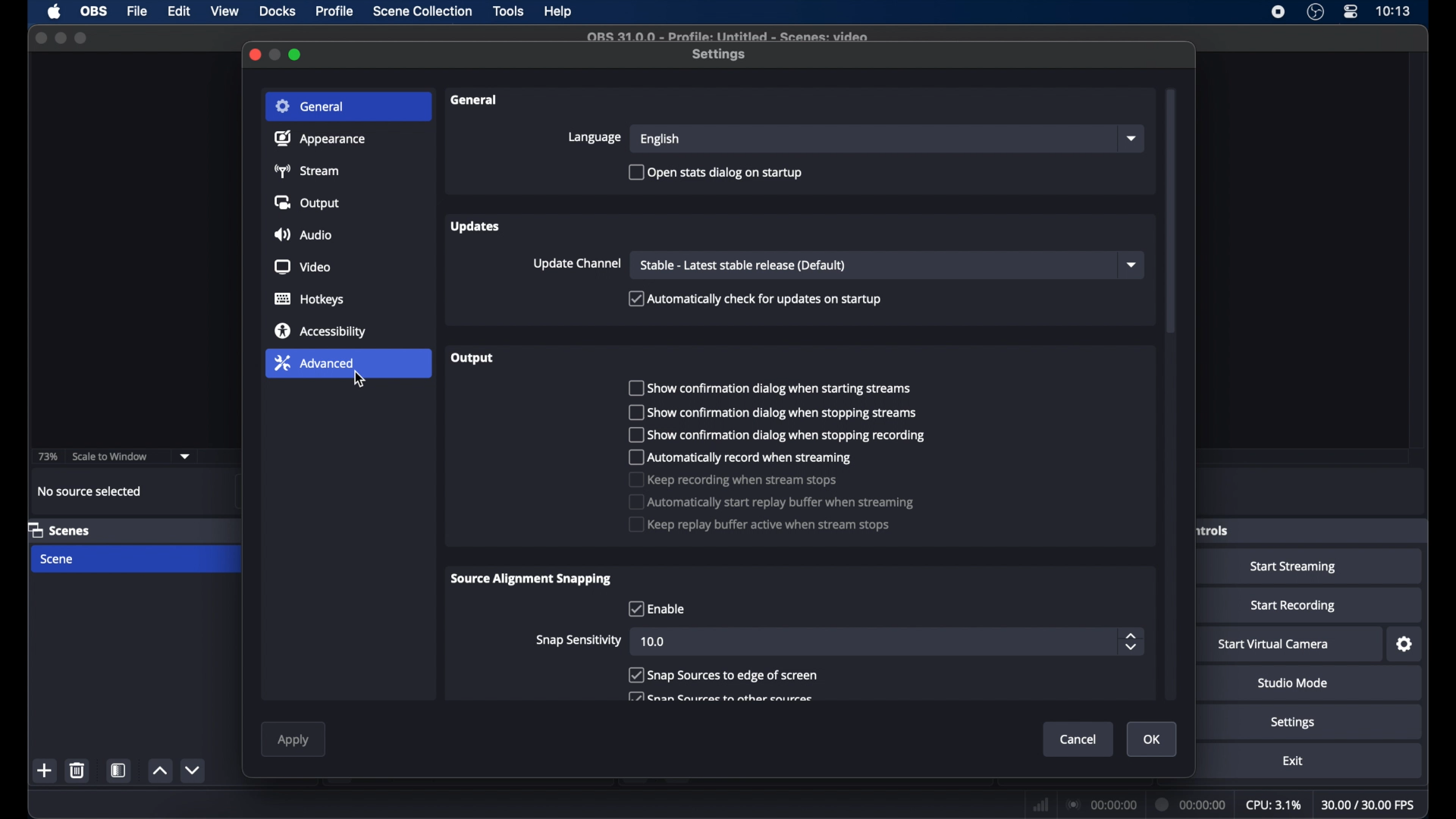 The image size is (1456, 819). What do you see at coordinates (59, 529) in the screenshot?
I see `scenes` at bounding box center [59, 529].